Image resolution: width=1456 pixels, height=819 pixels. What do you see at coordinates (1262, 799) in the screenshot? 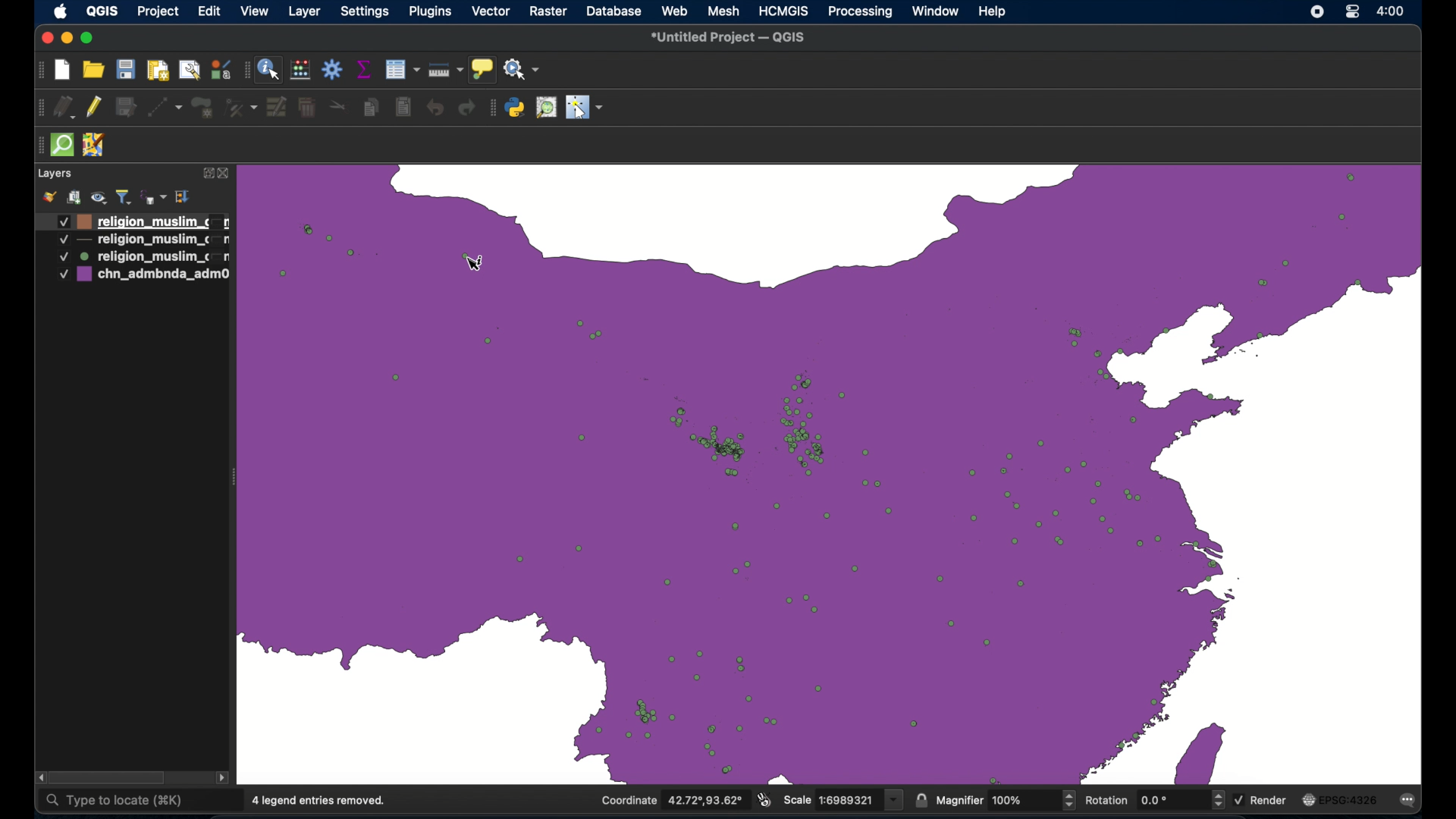
I see `render` at bounding box center [1262, 799].